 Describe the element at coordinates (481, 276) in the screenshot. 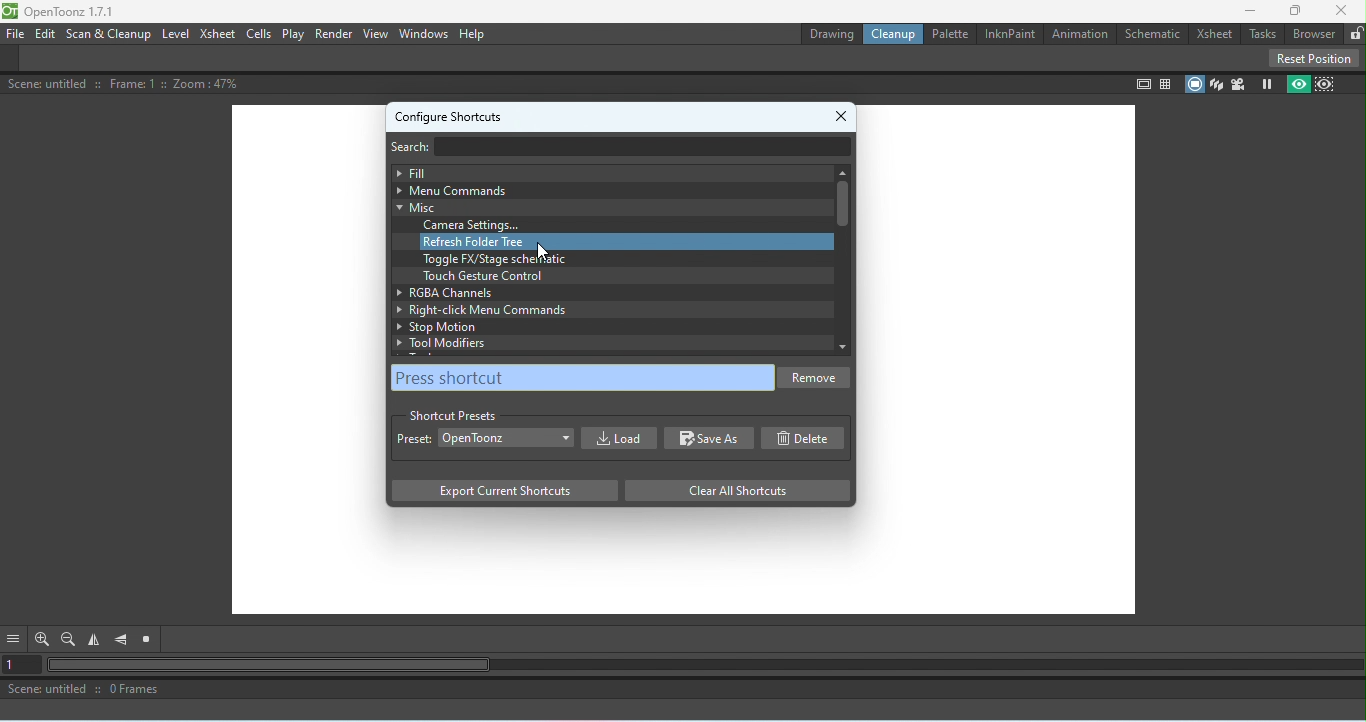

I see `Touch gesture control` at that location.